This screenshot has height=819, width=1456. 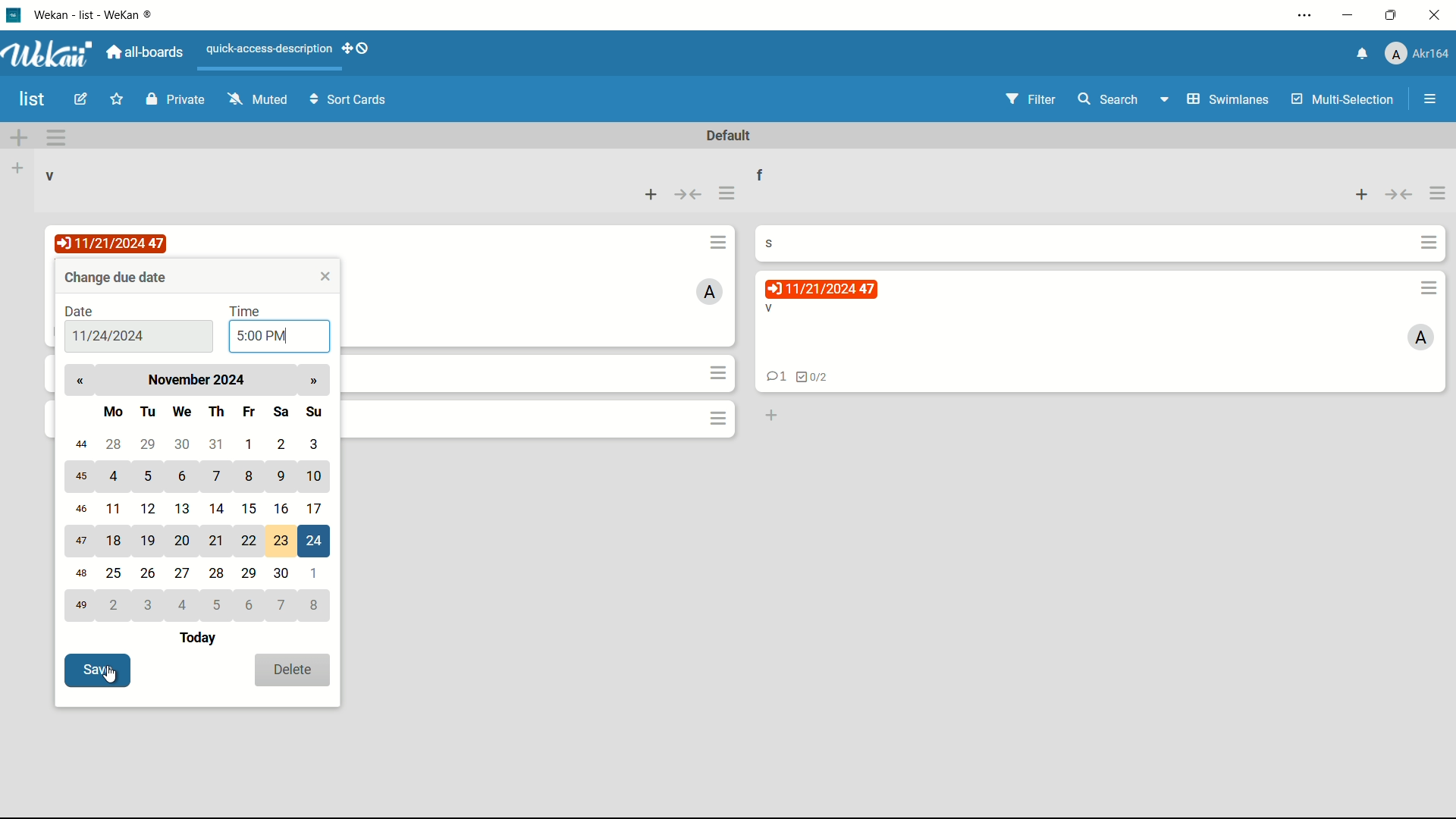 I want to click on 14, so click(x=217, y=506).